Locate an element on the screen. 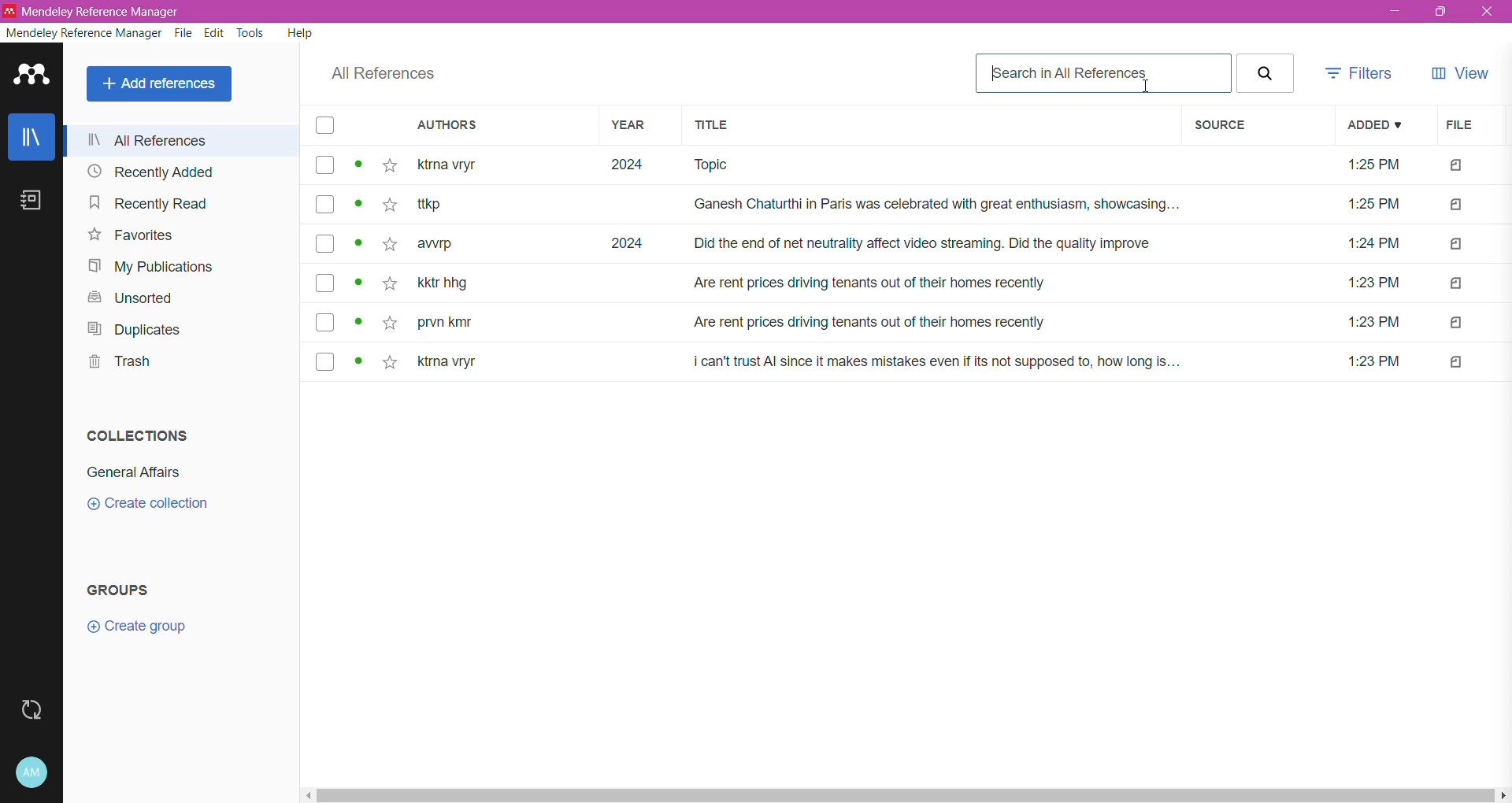  All References is located at coordinates (381, 74).